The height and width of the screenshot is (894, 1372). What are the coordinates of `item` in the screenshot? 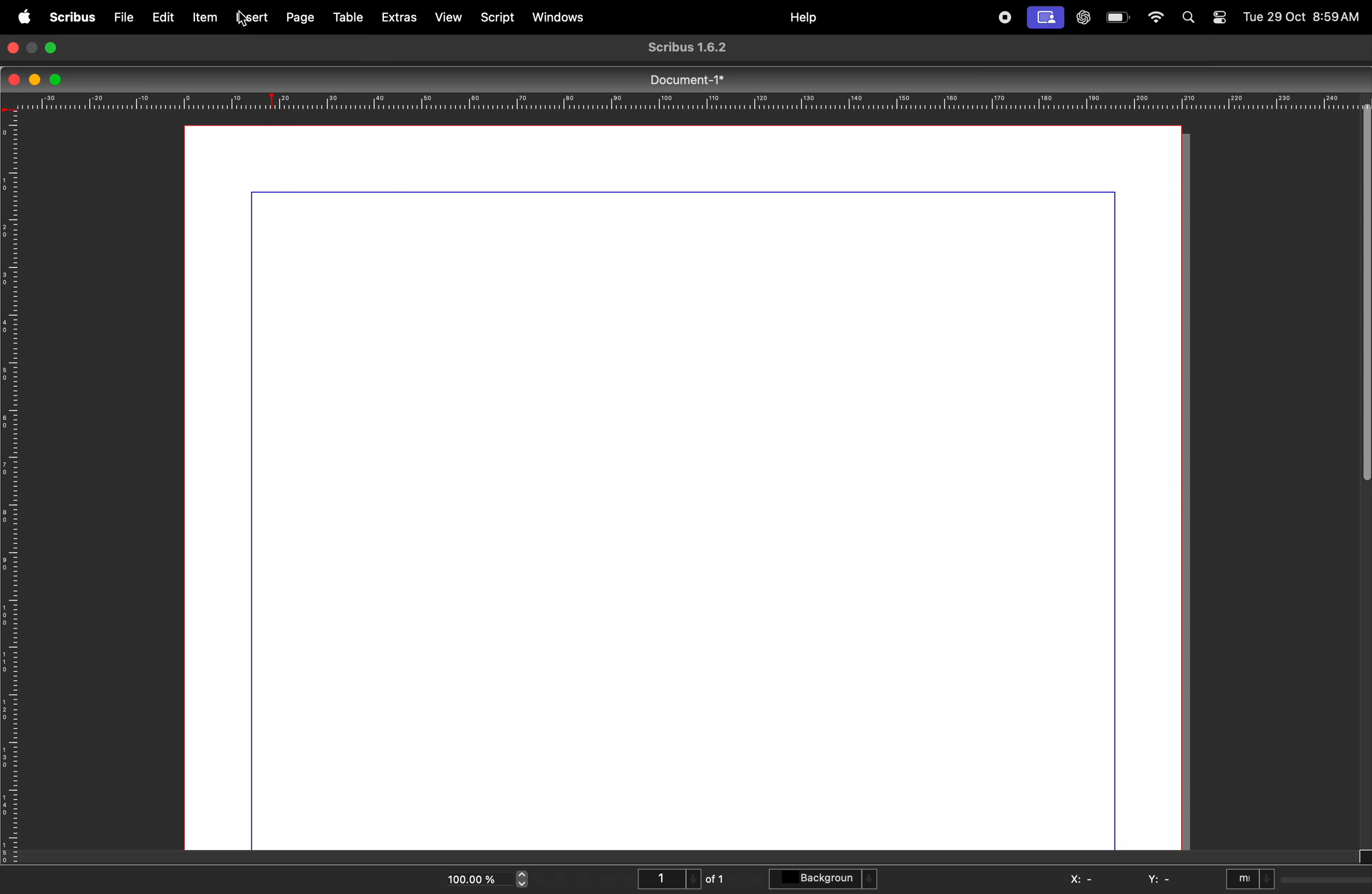 It's located at (205, 17).